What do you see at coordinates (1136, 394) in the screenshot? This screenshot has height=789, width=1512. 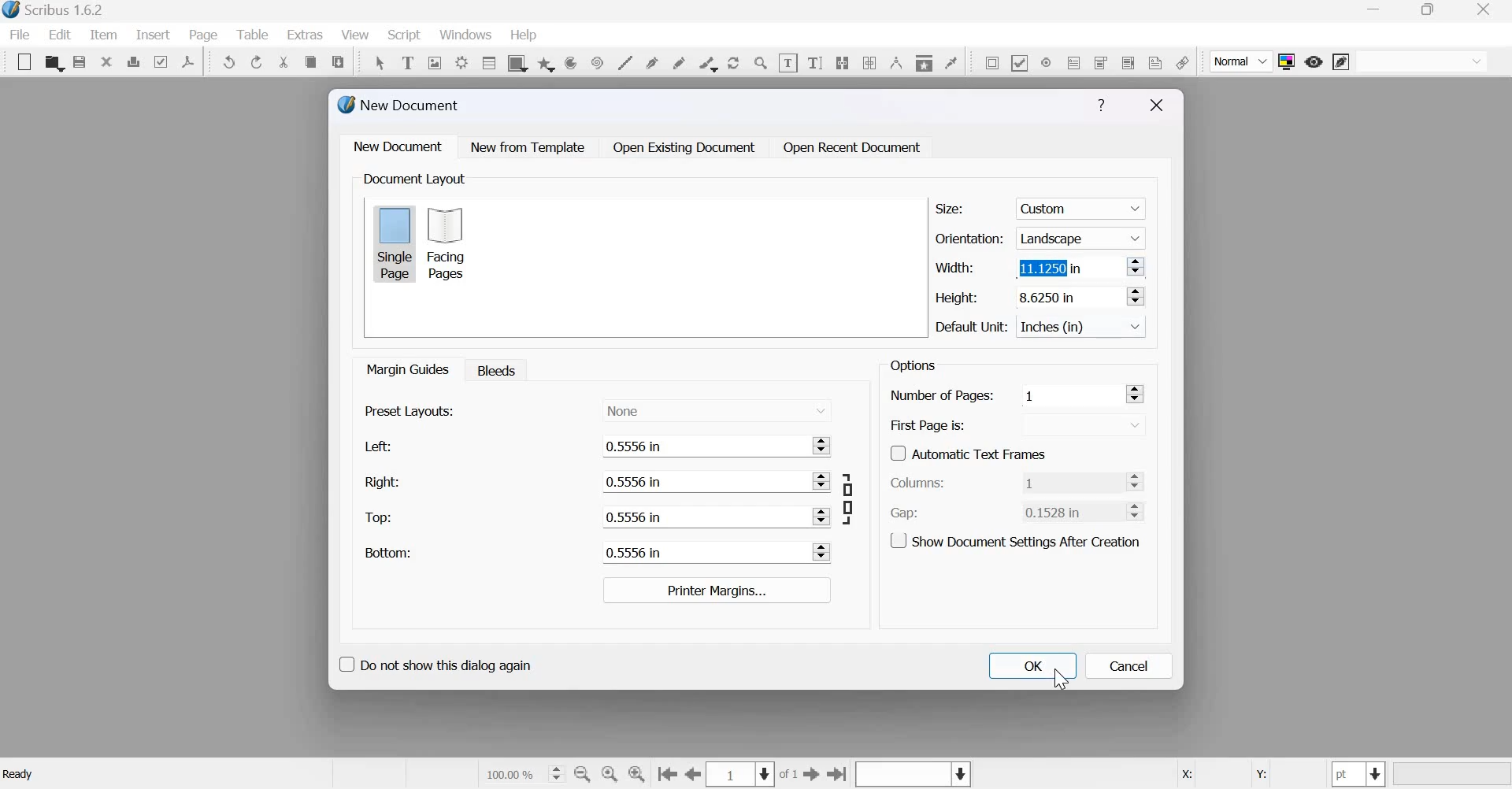 I see `Increase and Decrease` at bounding box center [1136, 394].